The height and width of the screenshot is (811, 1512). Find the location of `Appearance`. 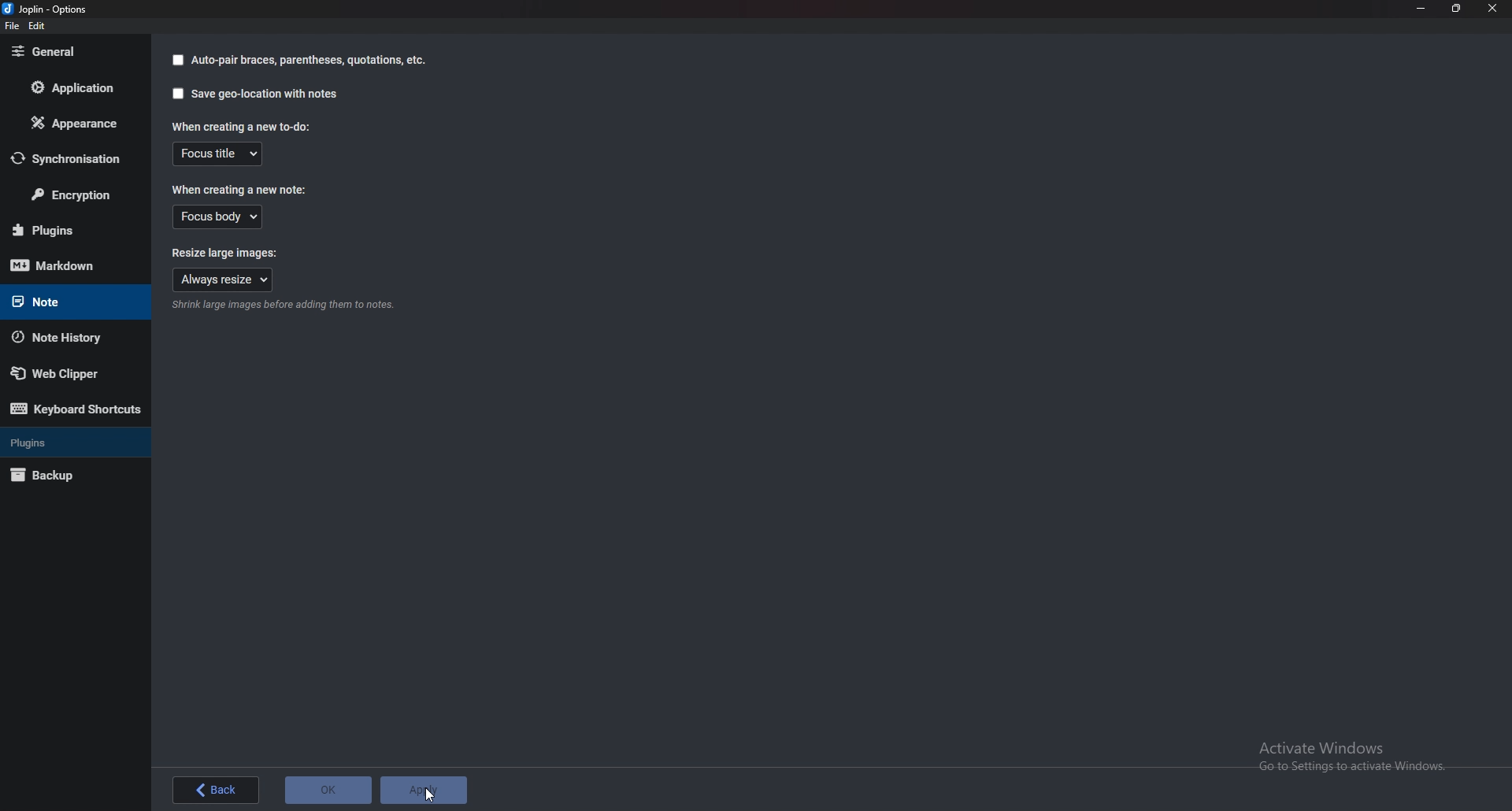

Appearance is located at coordinates (70, 123).